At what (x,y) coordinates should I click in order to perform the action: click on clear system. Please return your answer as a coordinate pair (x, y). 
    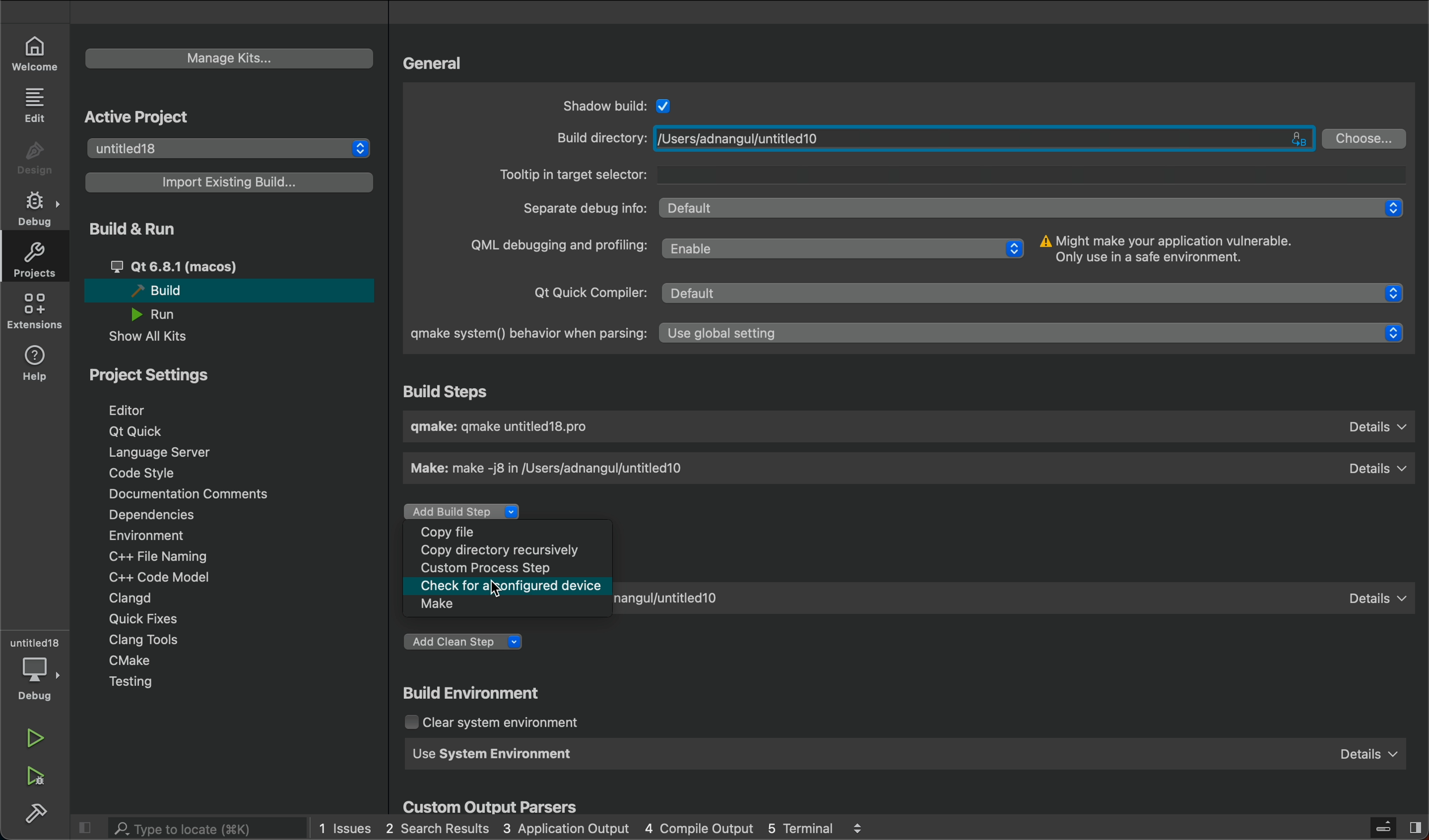
    Looking at the image, I should click on (555, 720).